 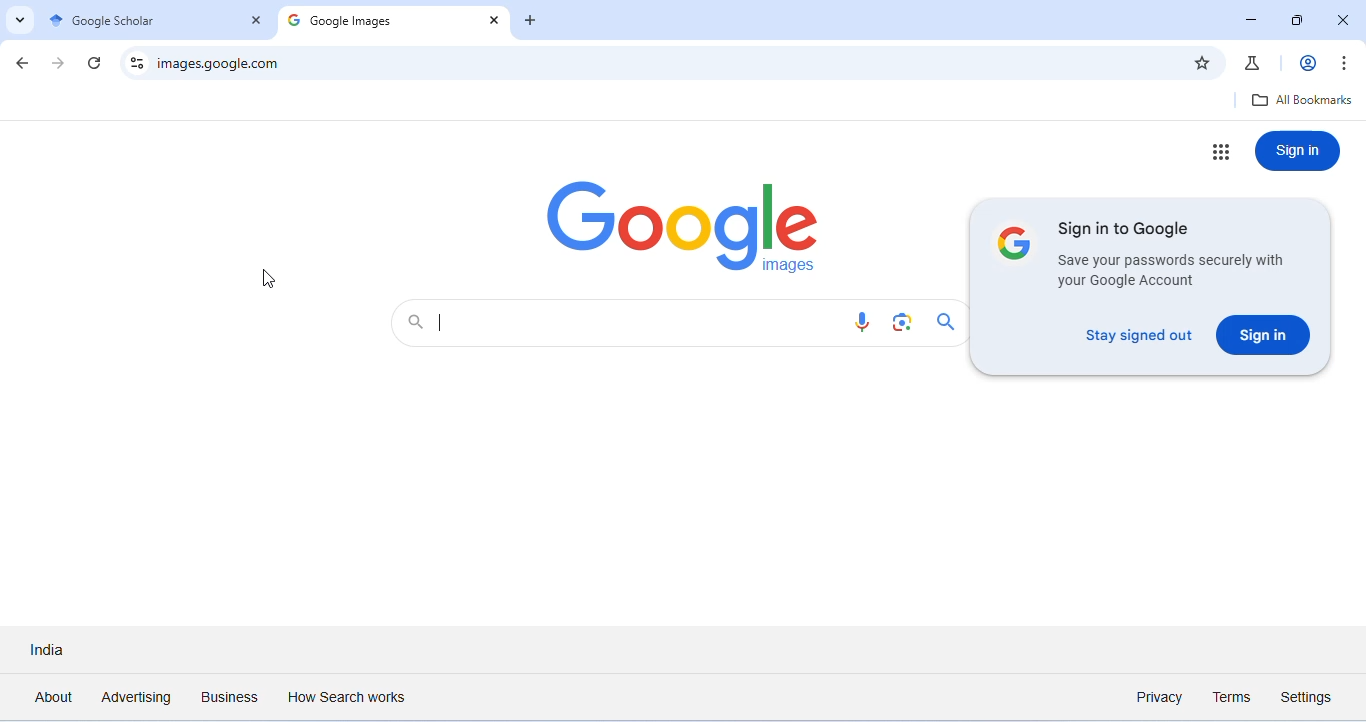 What do you see at coordinates (1131, 334) in the screenshot?
I see `stay signed out` at bounding box center [1131, 334].